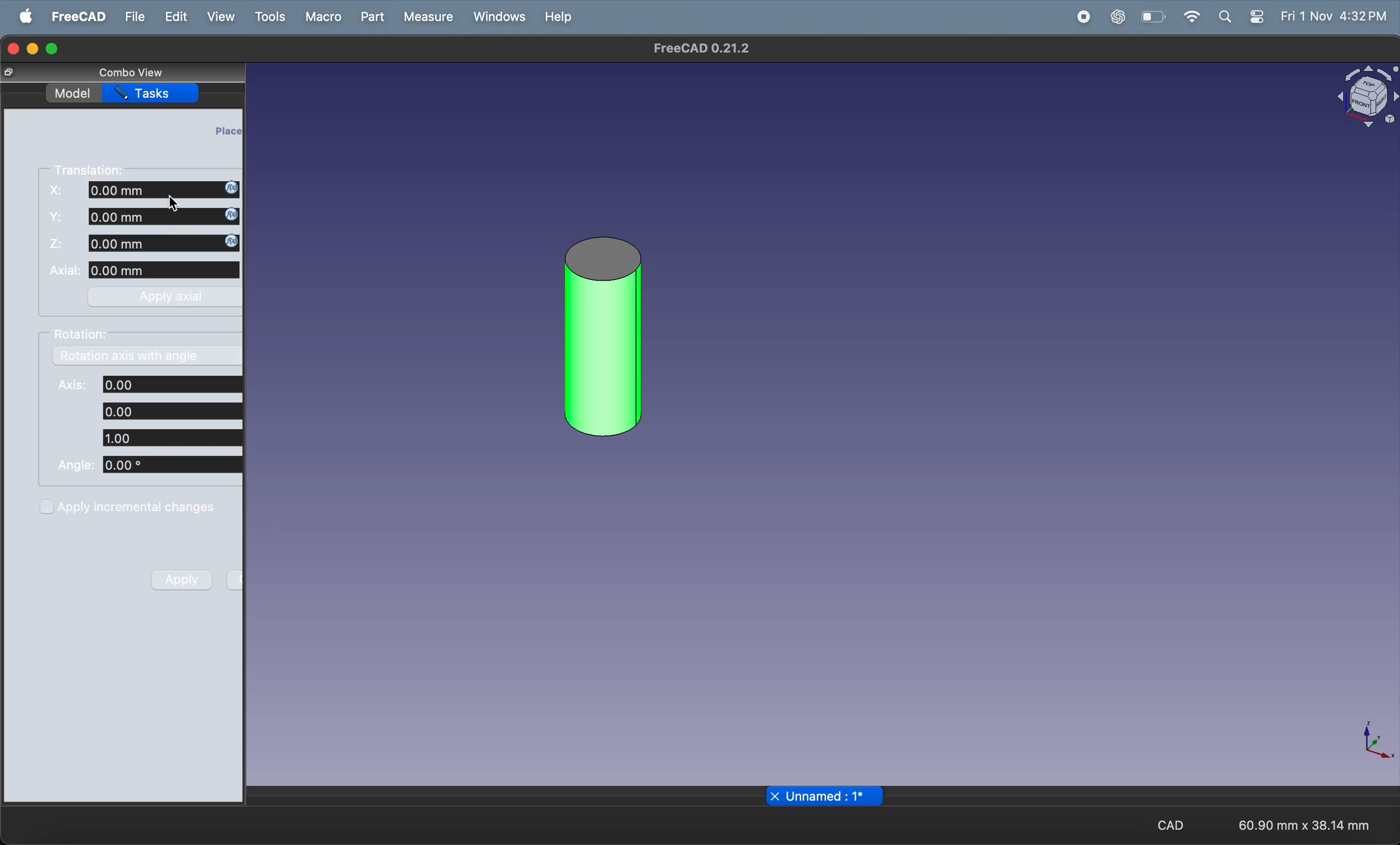 This screenshot has height=845, width=1400. Describe the element at coordinates (1375, 743) in the screenshot. I see `axis` at that location.